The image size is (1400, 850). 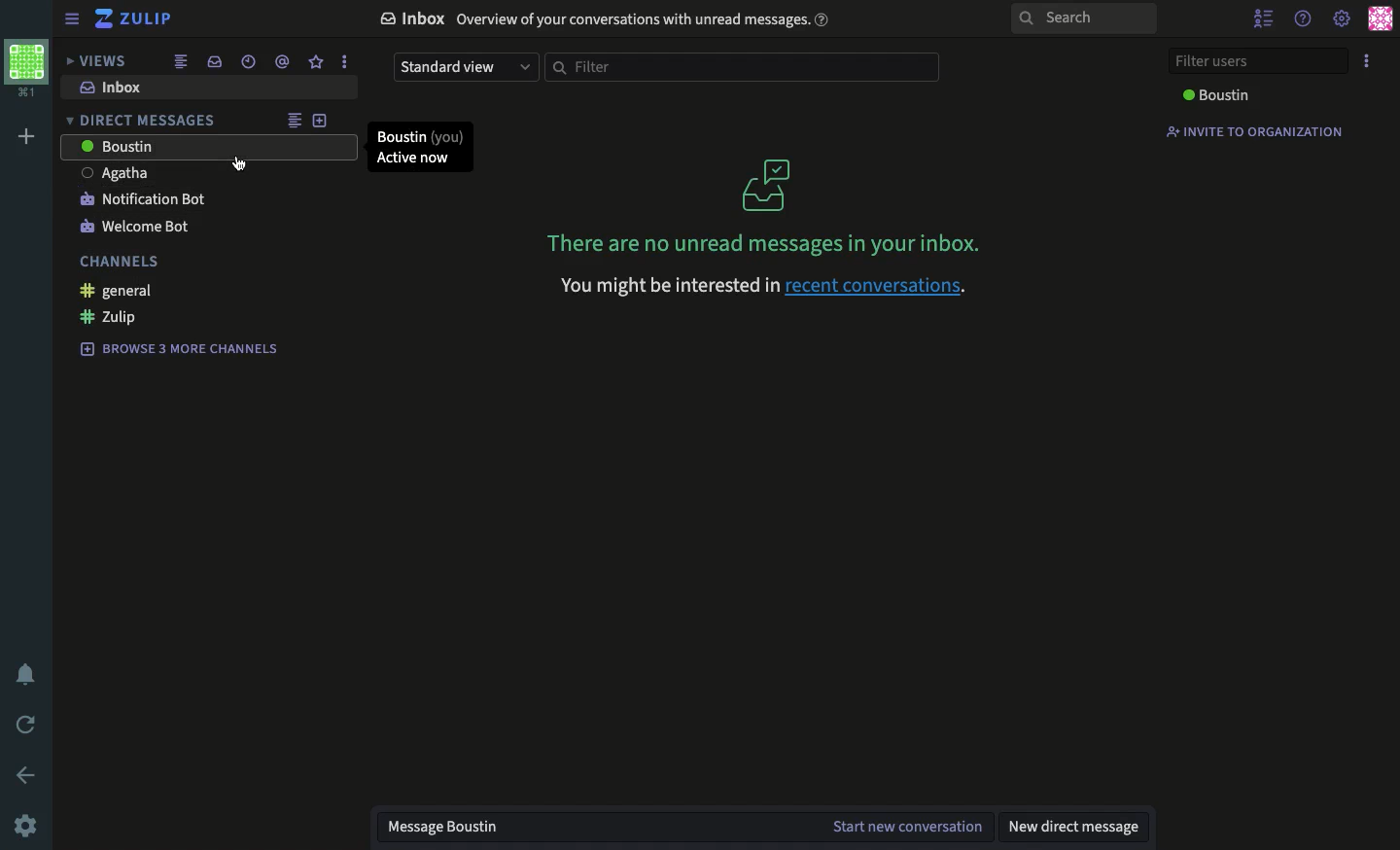 What do you see at coordinates (1264, 18) in the screenshot?
I see `hide user list` at bounding box center [1264, 18].